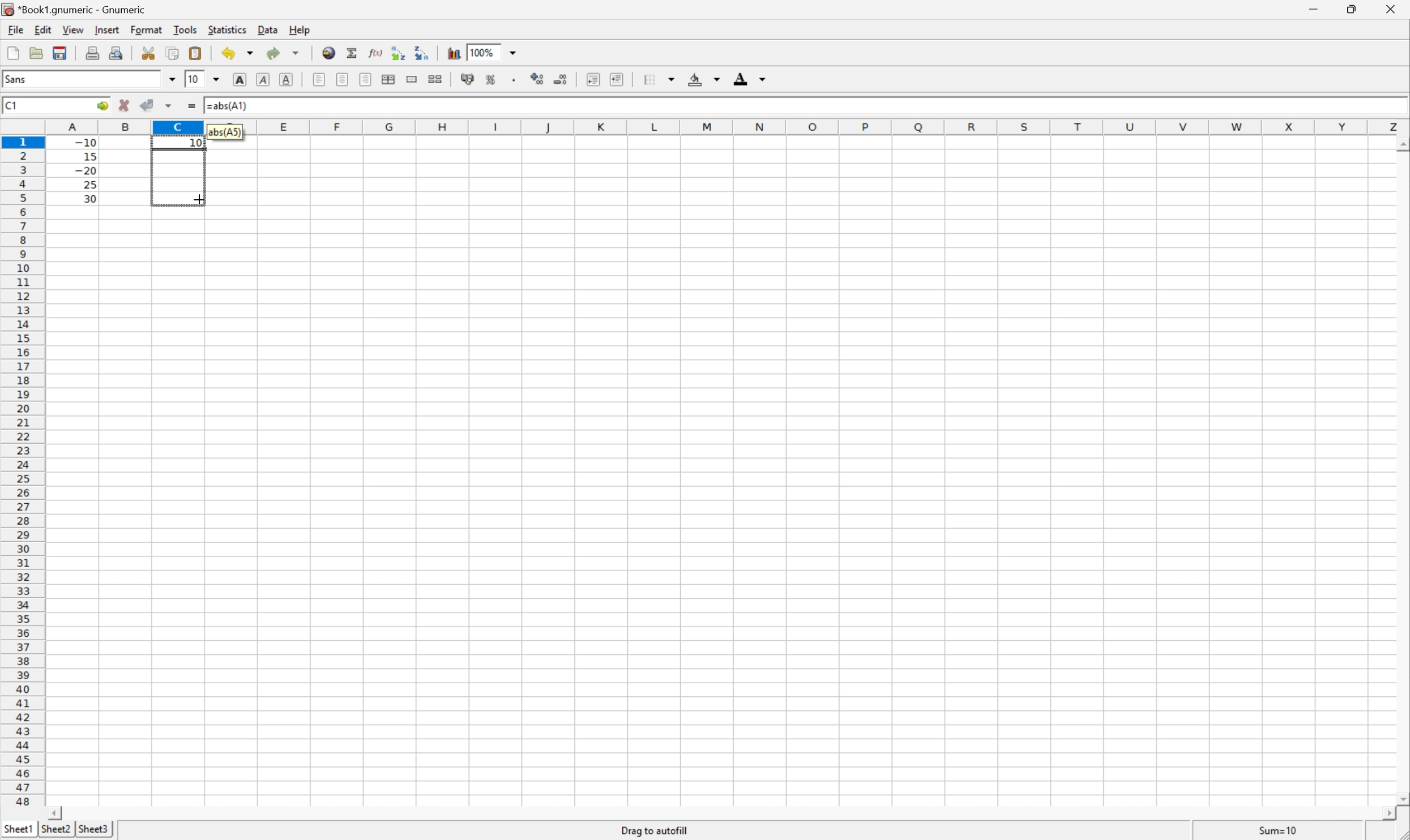 The image size is (1410, 840). What do you see at coordinates (198, 53) in the screenshot?
I see `Paste the clipboard` at bounding box center [198, 53].